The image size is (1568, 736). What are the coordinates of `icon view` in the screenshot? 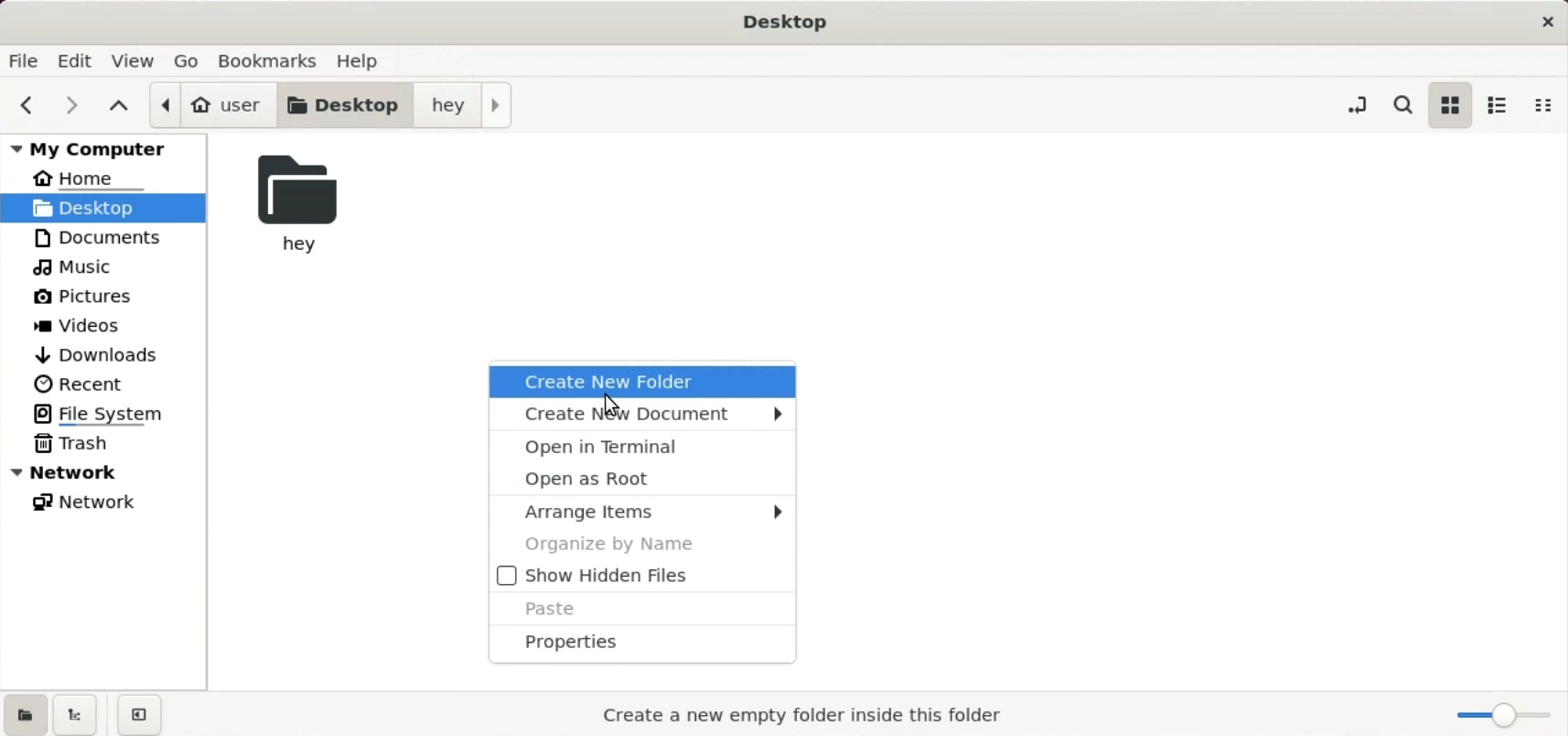 It's located at (1449, 104).